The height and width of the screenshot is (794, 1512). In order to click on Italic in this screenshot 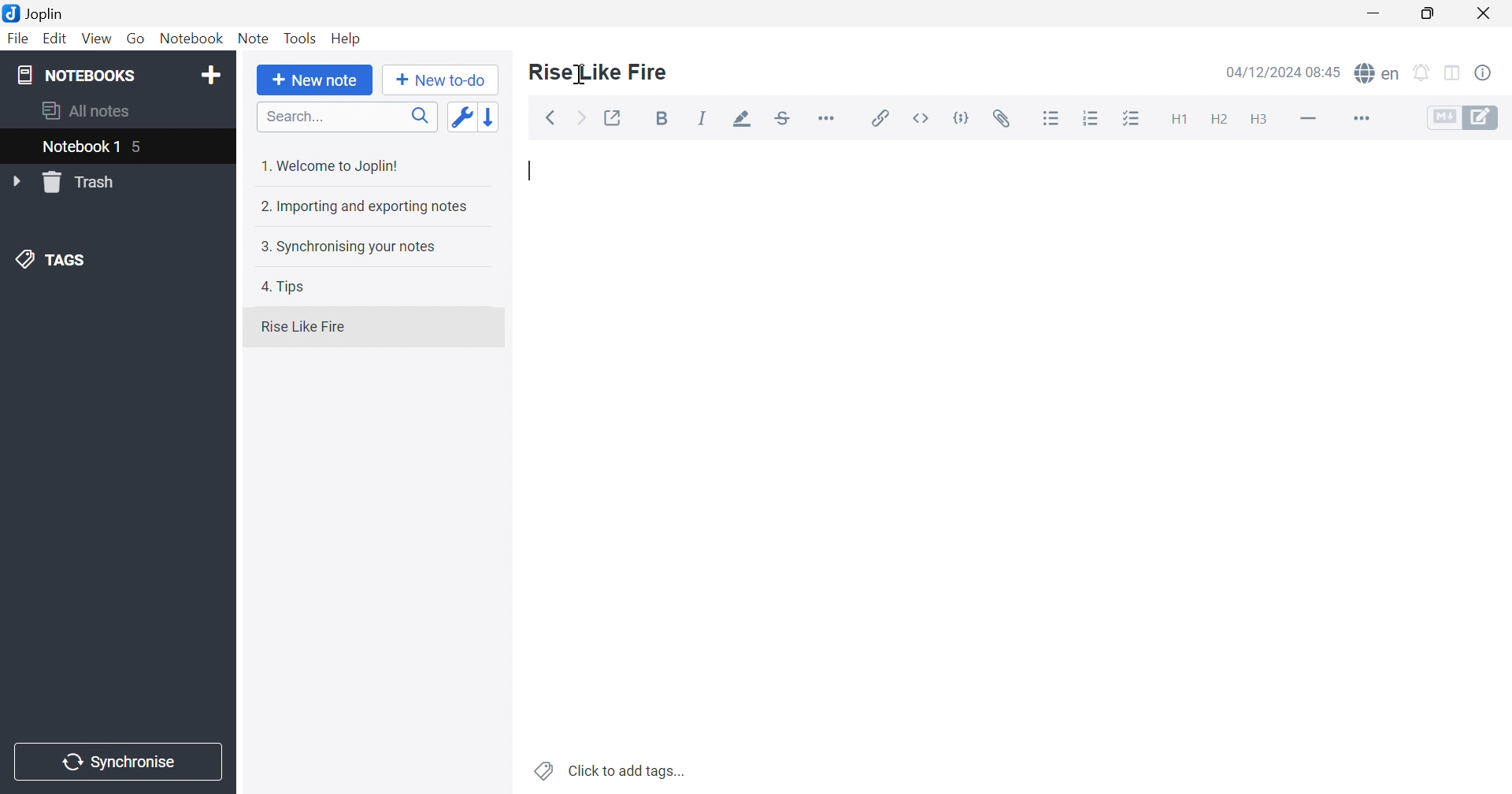, I will do `click(702, 117)`.